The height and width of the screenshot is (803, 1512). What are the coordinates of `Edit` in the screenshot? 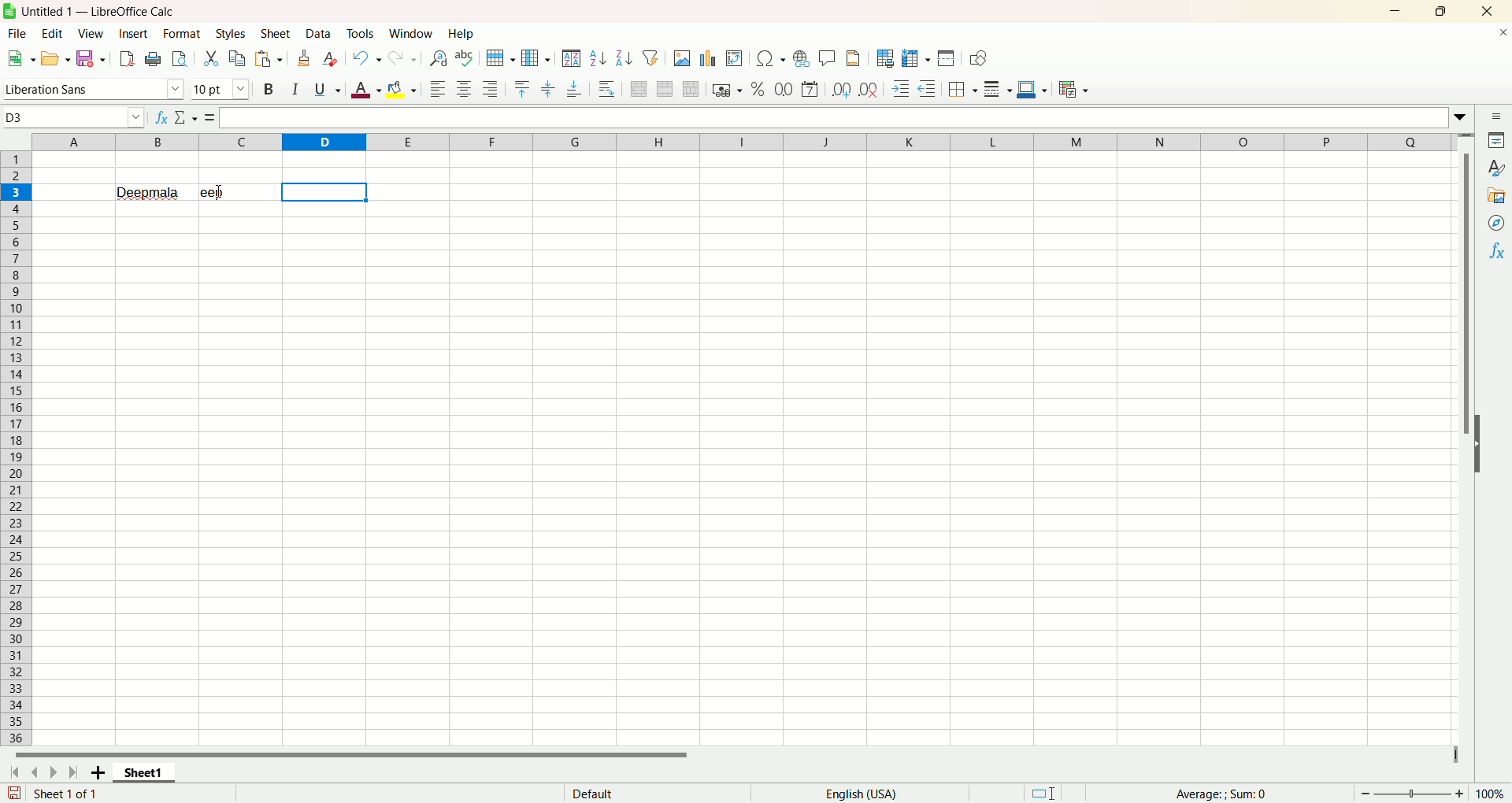 It's located at (56, 33).